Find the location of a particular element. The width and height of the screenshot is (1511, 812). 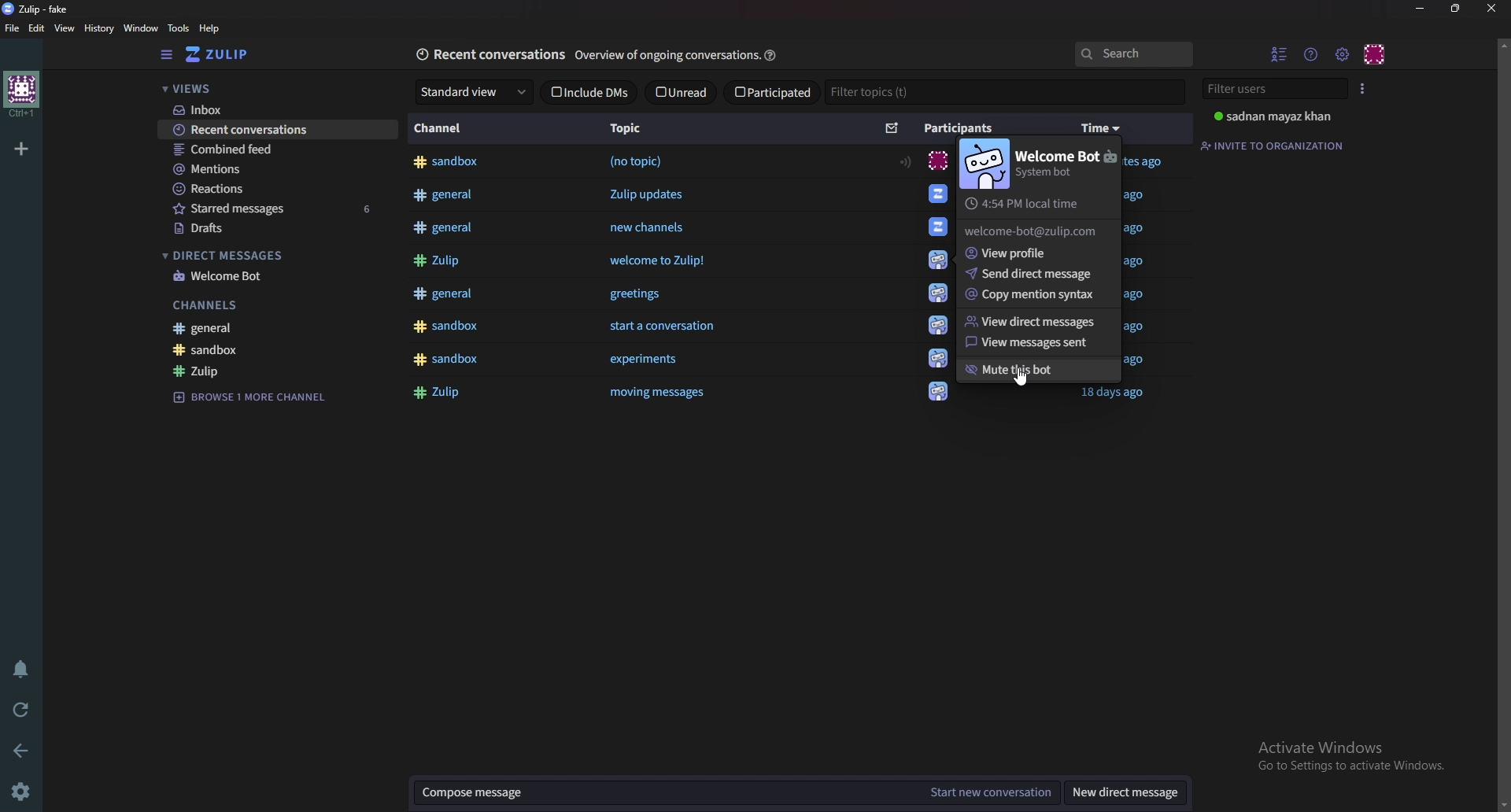

close is located at coordinates (1491, 8).